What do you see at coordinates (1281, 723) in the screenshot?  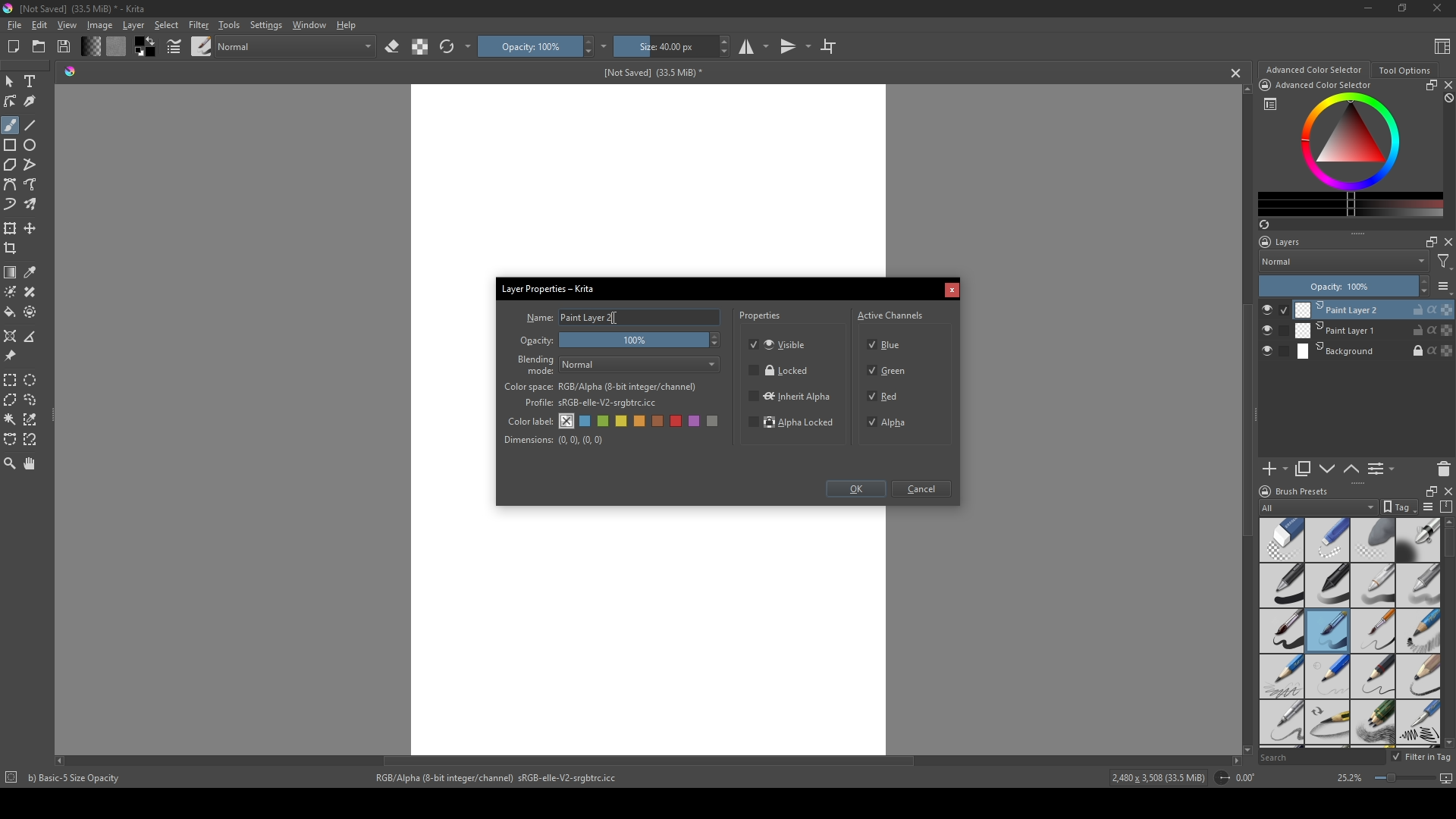 I see `sharp pencil` at bounding box center [1281, 723].